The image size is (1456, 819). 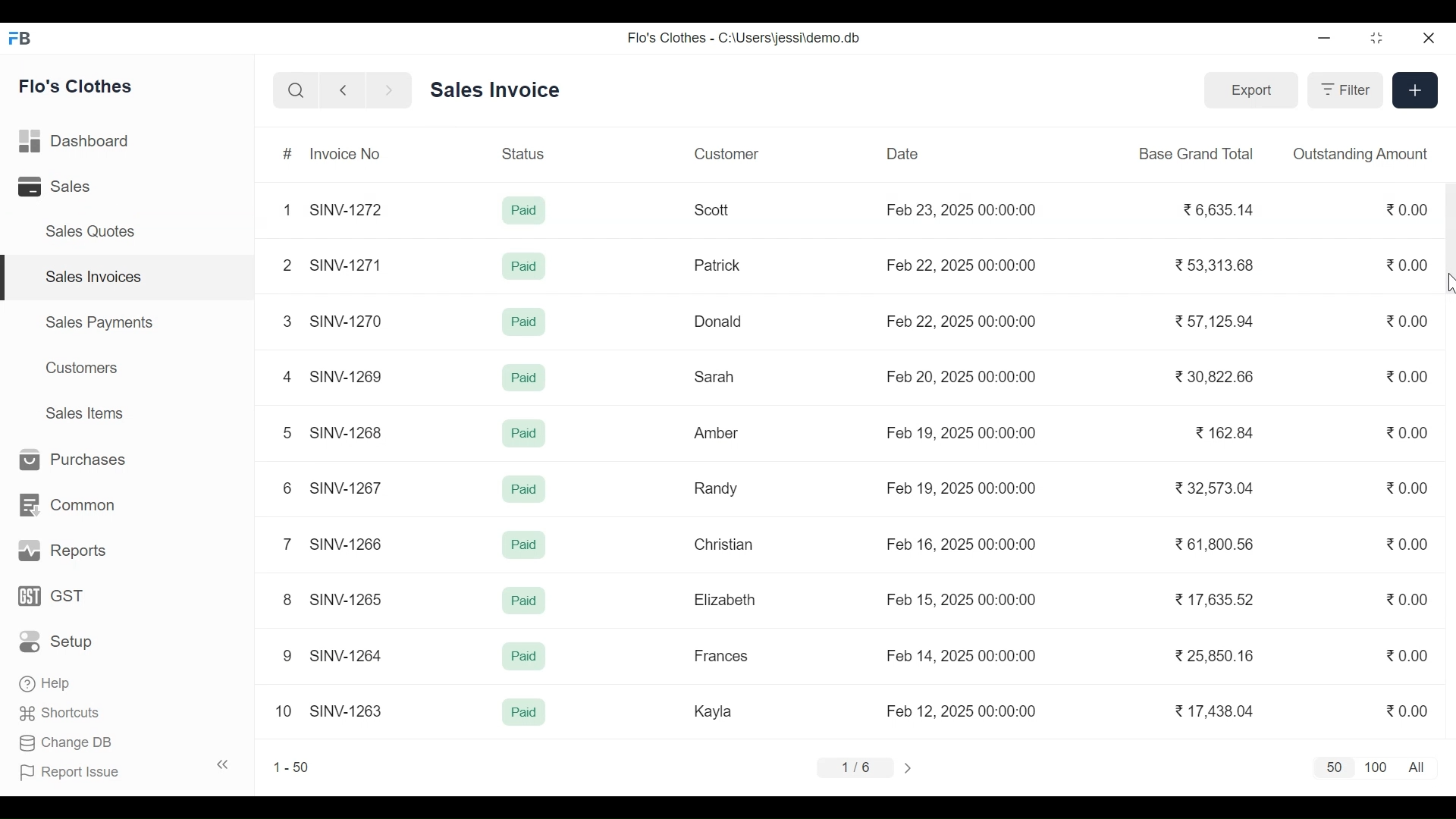 What do you see at coordinates (962, 599) in the screenshot?
I see `Feb 15, 2025 00:00:00` at bounding box center [962, 599].